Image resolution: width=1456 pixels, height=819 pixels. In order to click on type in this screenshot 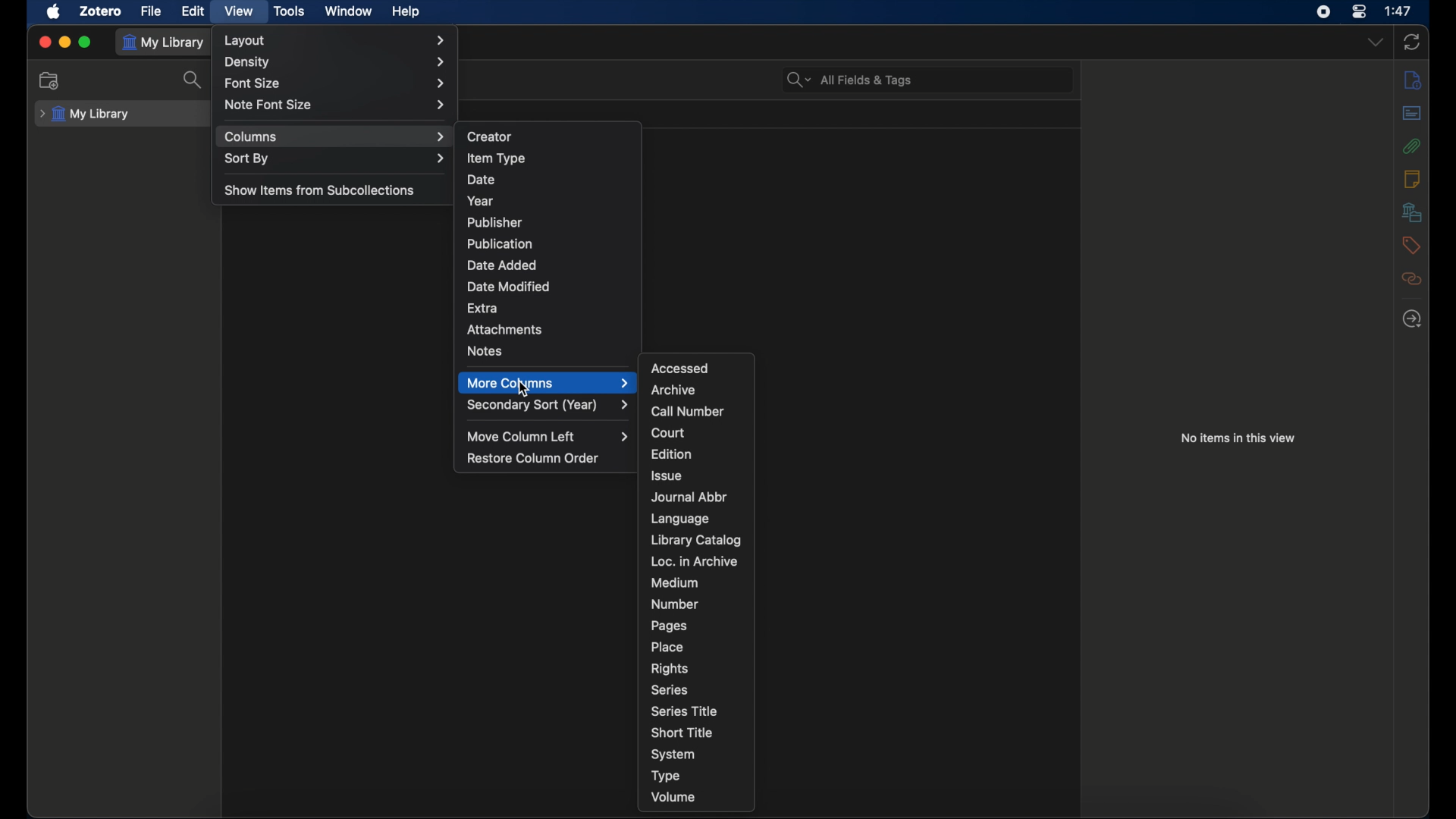, I will do `click(664, 775)`.